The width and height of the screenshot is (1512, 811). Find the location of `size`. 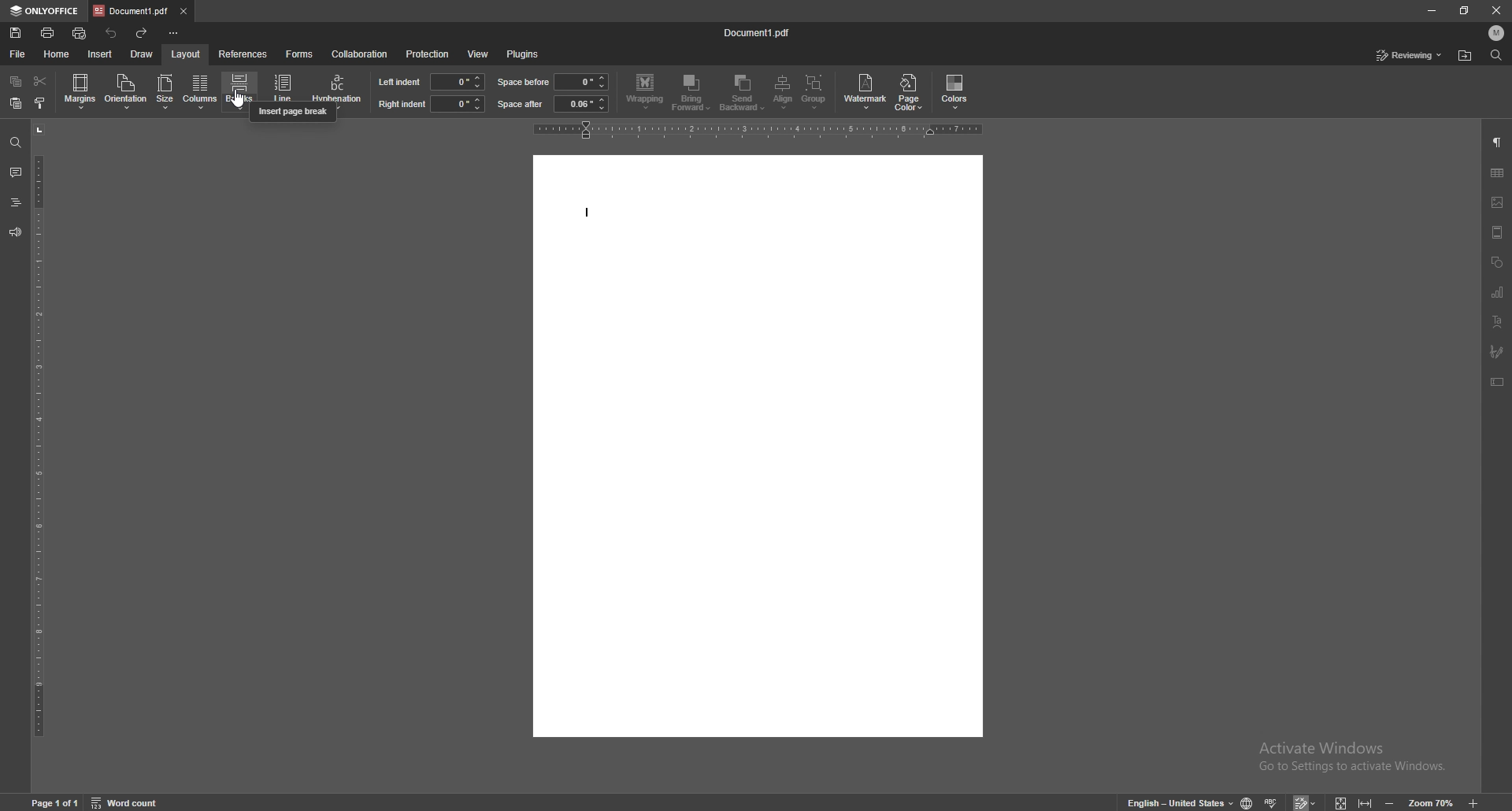

size is located at coordinates (166, 91).